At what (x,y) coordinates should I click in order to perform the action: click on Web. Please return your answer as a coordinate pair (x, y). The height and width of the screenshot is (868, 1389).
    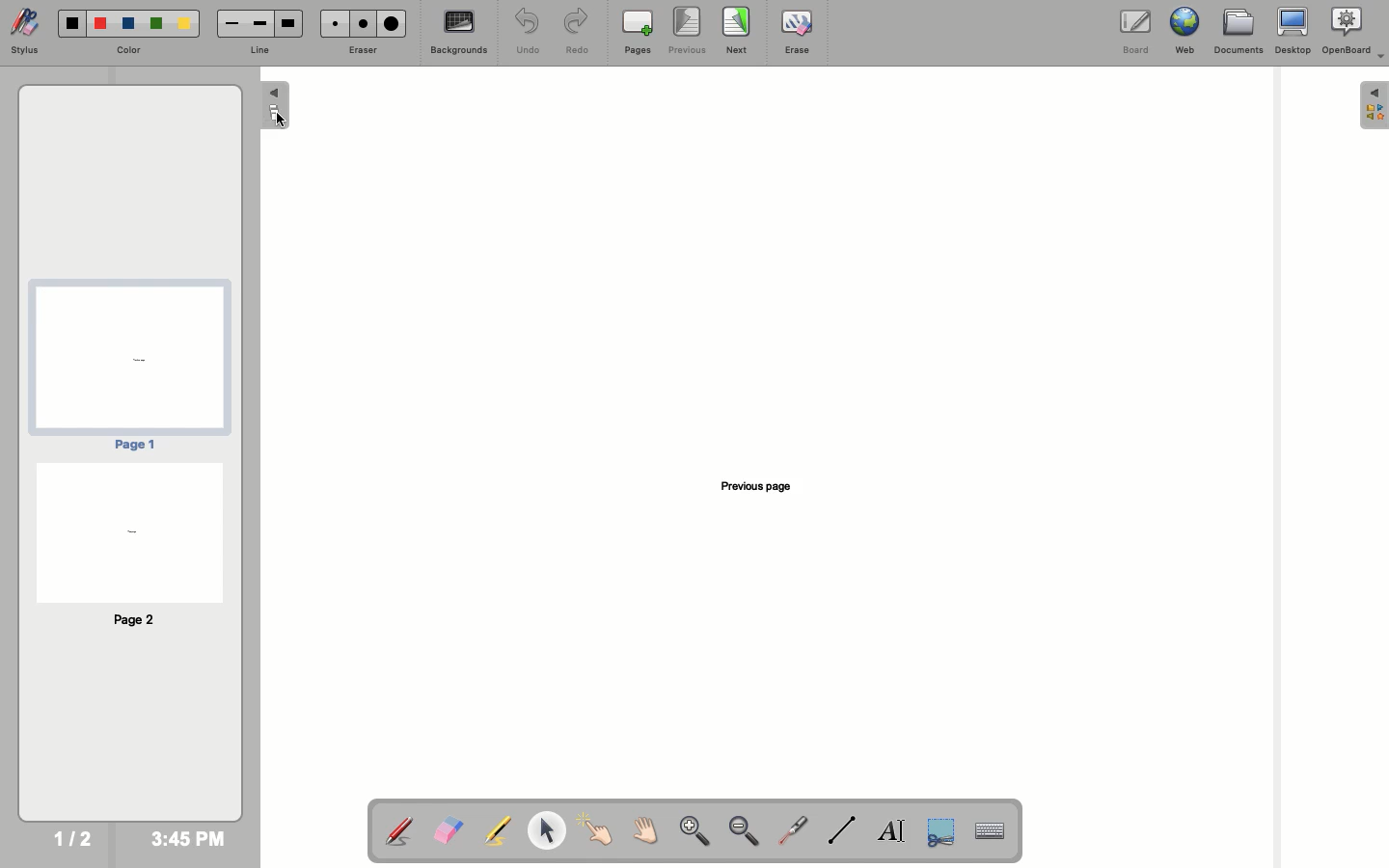
    Looking at the image, I should click on (1182, 31).